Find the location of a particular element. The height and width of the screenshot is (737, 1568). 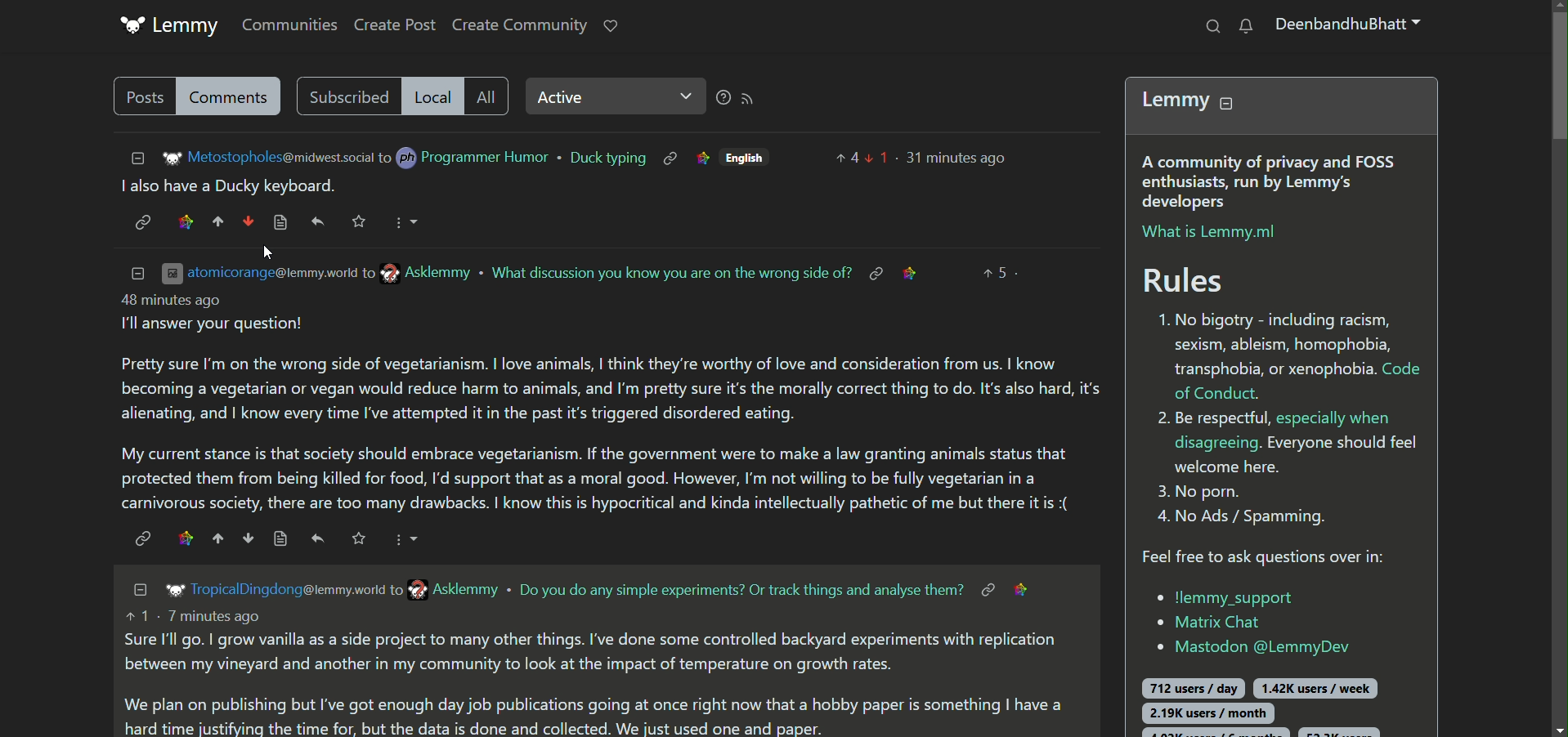

undo is located at coordinates (318, 539).